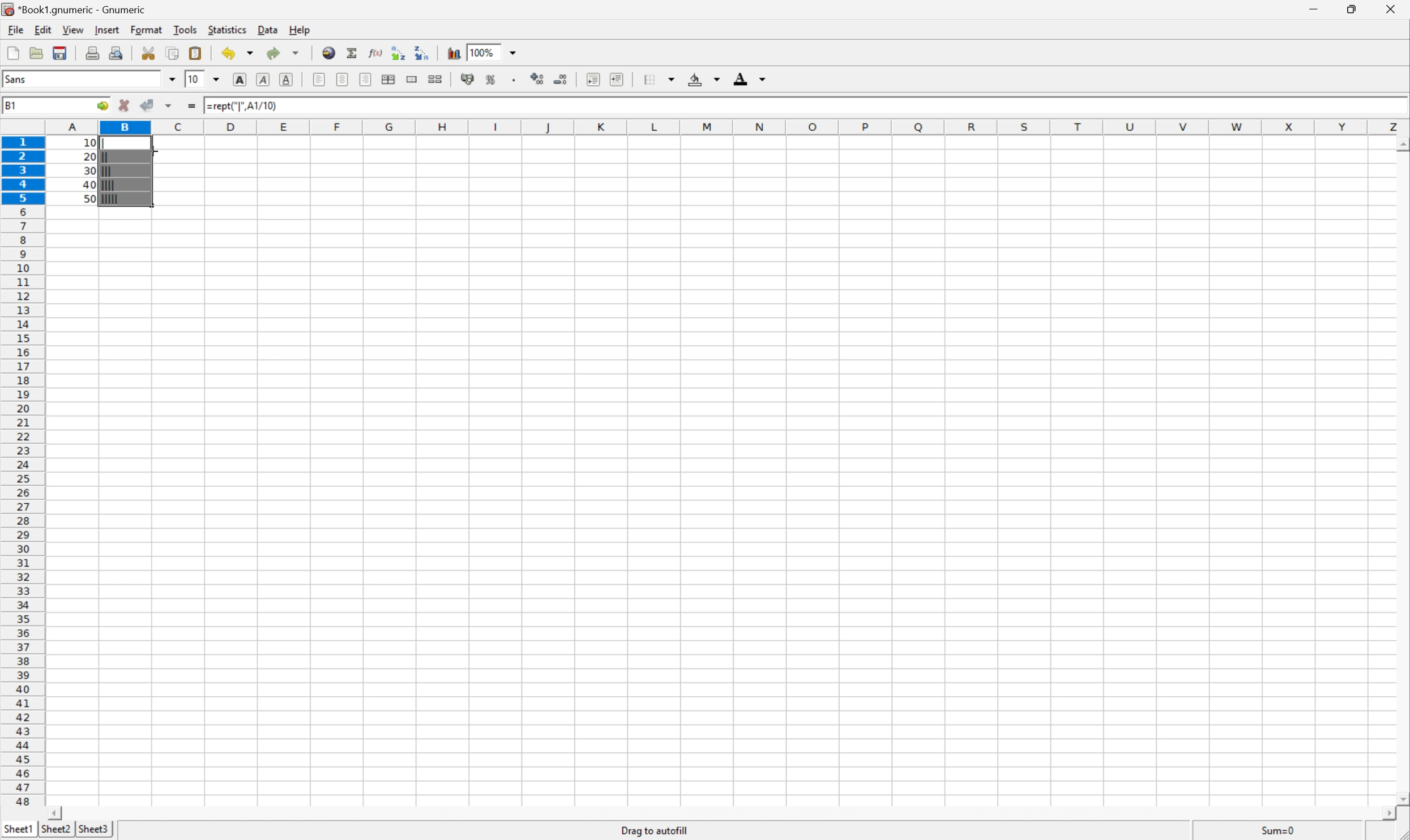  What do you see at coordinates (1354, 8) in the screenshot?
I see `Restore Down` at bounding box center [1354, 8].